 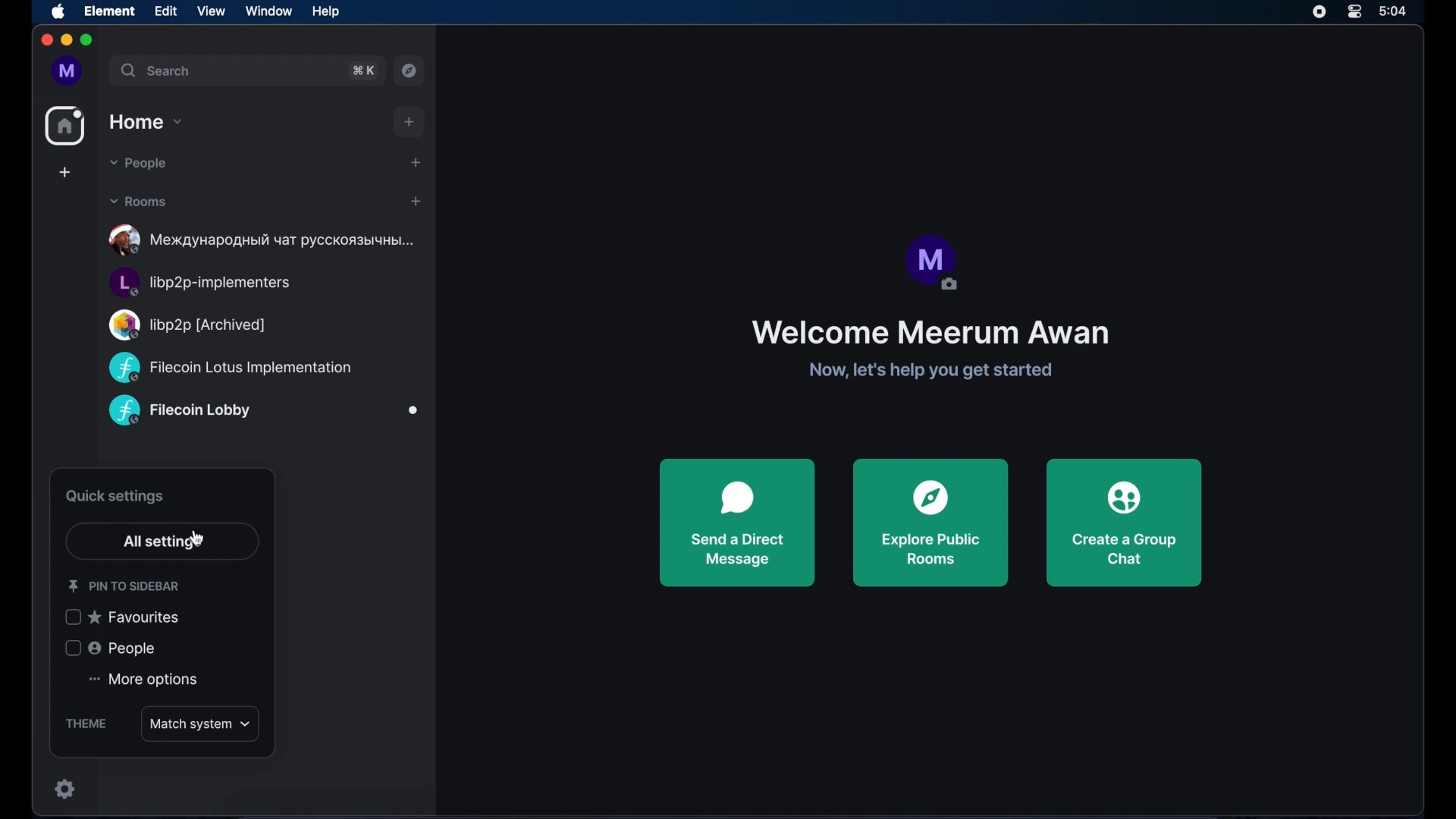 What do you see at coordinates (932, 371) in the screenshot?
I see `now  lets help you get started` at bounding box center [932, 371].